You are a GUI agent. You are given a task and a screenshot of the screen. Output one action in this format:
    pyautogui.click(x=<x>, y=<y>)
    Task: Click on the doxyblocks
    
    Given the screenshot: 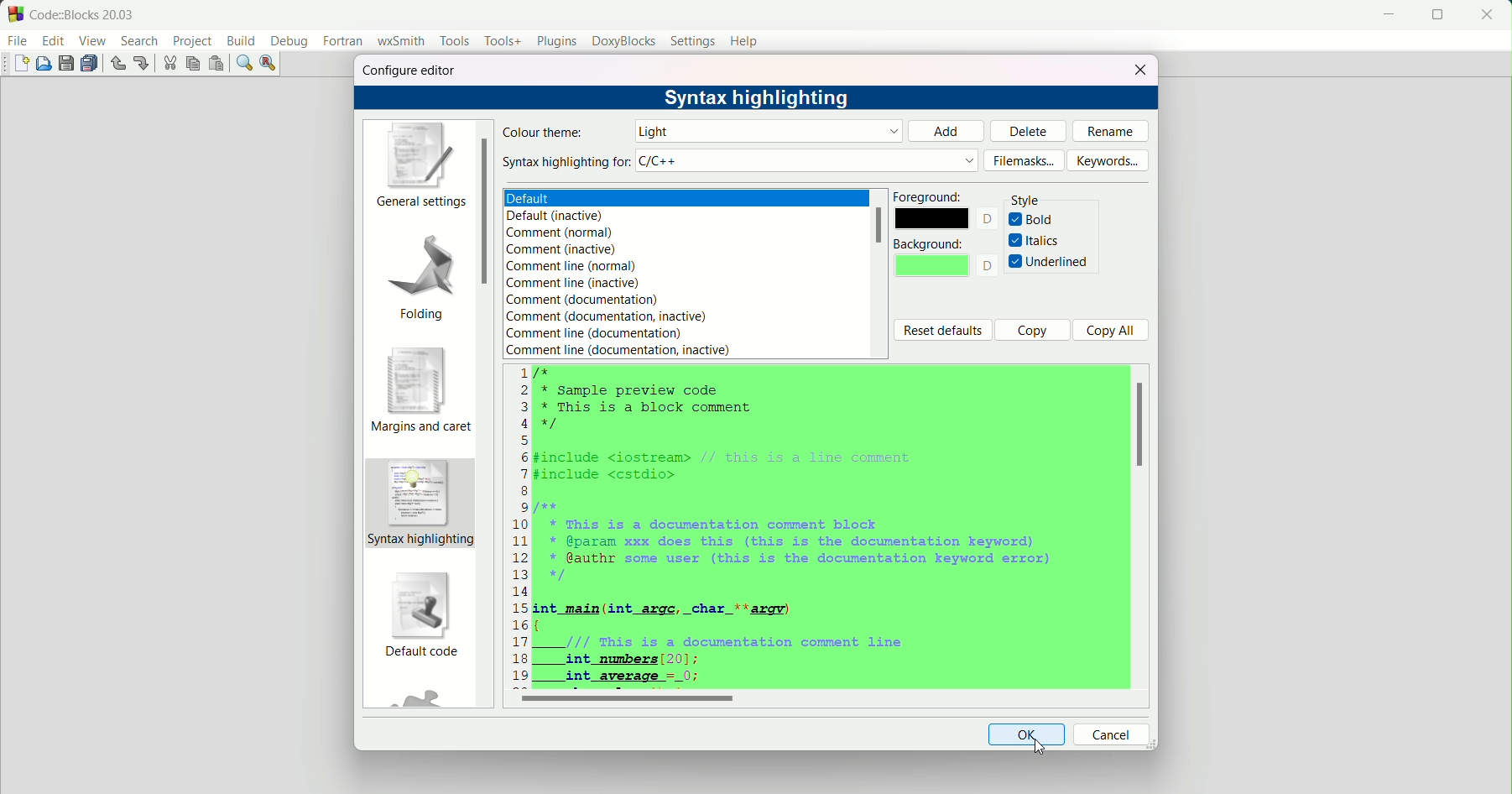 What is the action you would take?
    pyautogui.click(x=624, y=41)
    